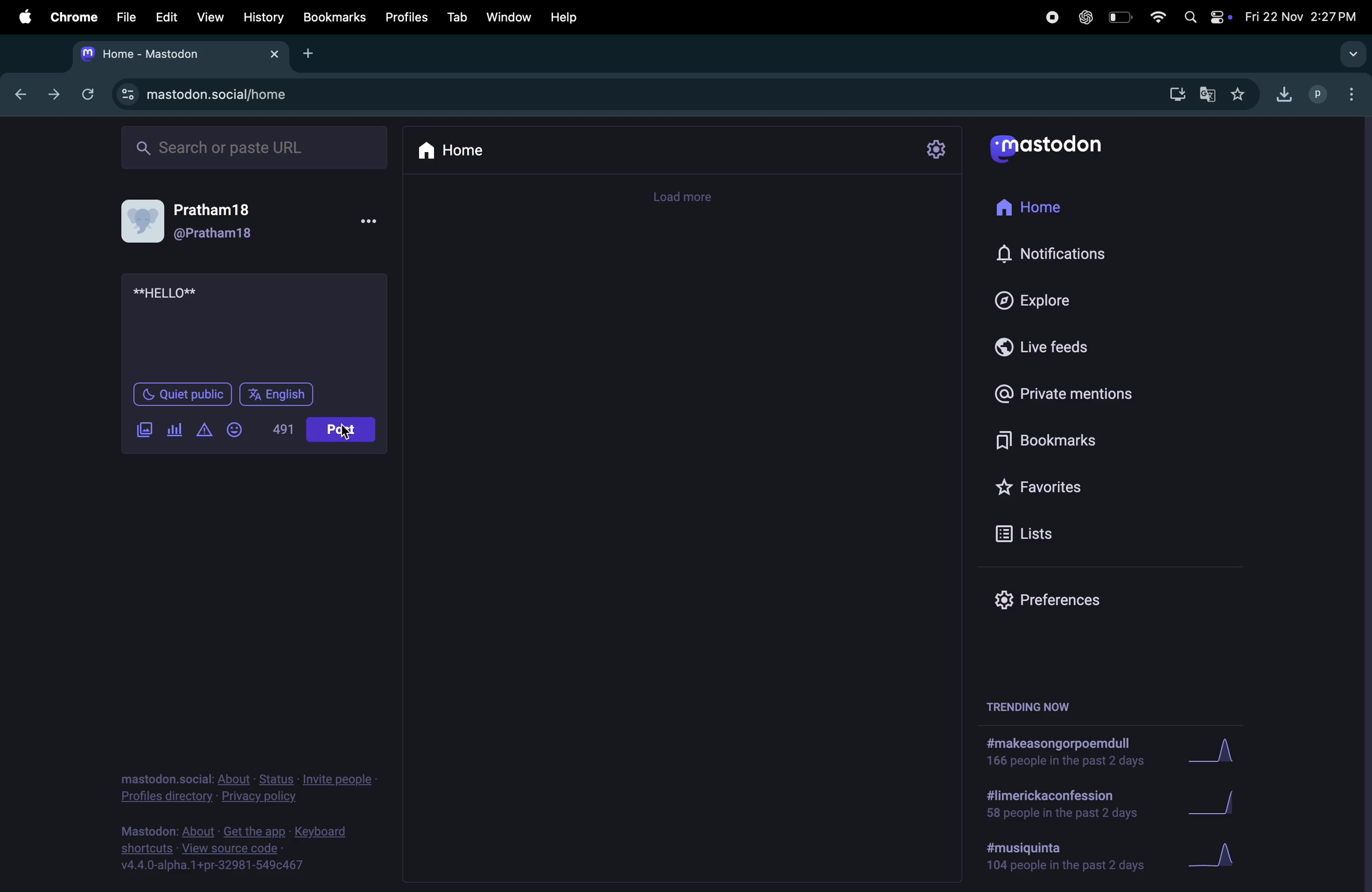 Image resolution: width=1372 pixels, height=892 pixels. Describe the element at coordinates (20, 16) in the screenshot. I see `apple menu` at that location.